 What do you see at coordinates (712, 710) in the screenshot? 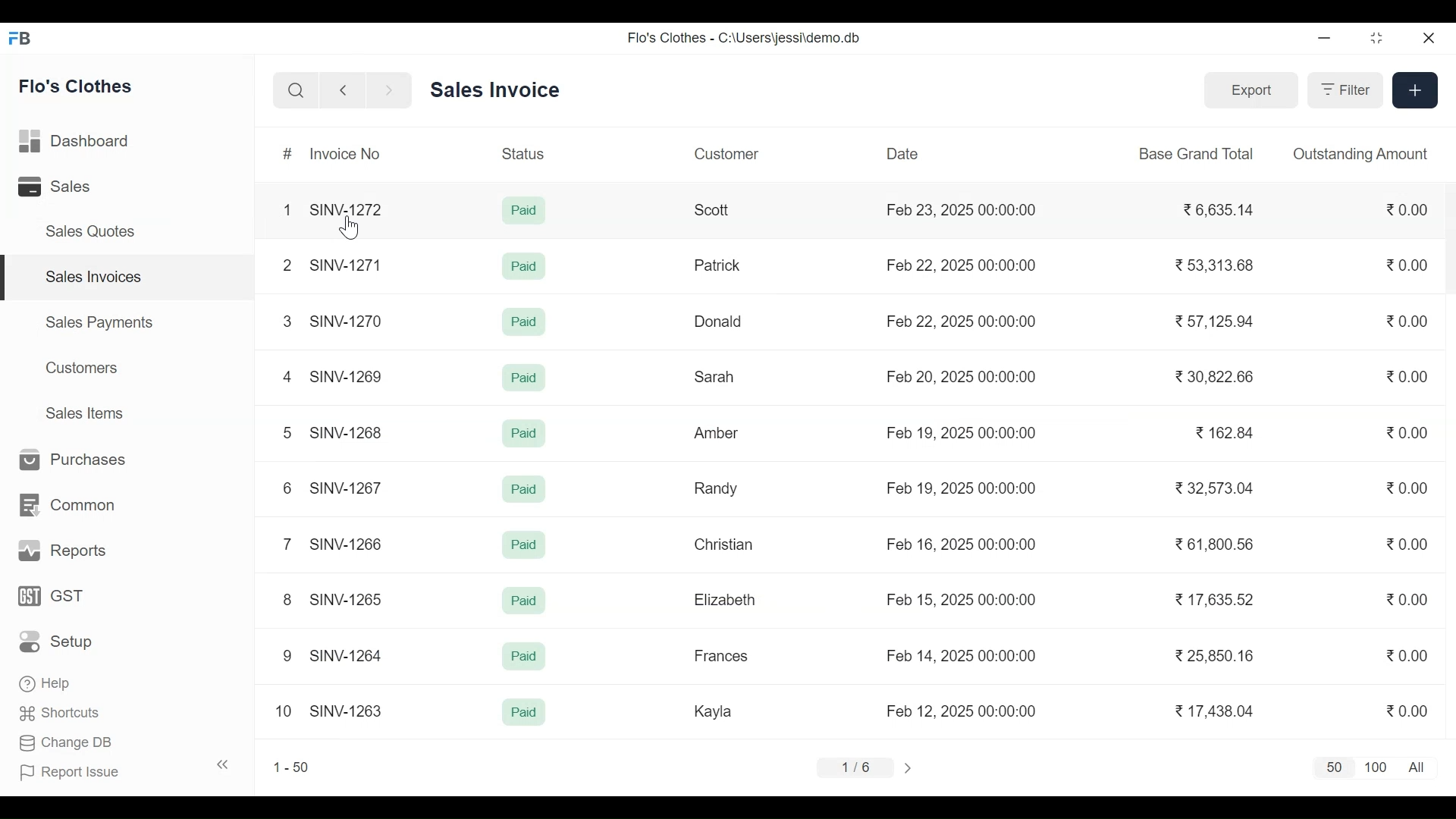
I see `Kayla` at bounding box center [712, 710].